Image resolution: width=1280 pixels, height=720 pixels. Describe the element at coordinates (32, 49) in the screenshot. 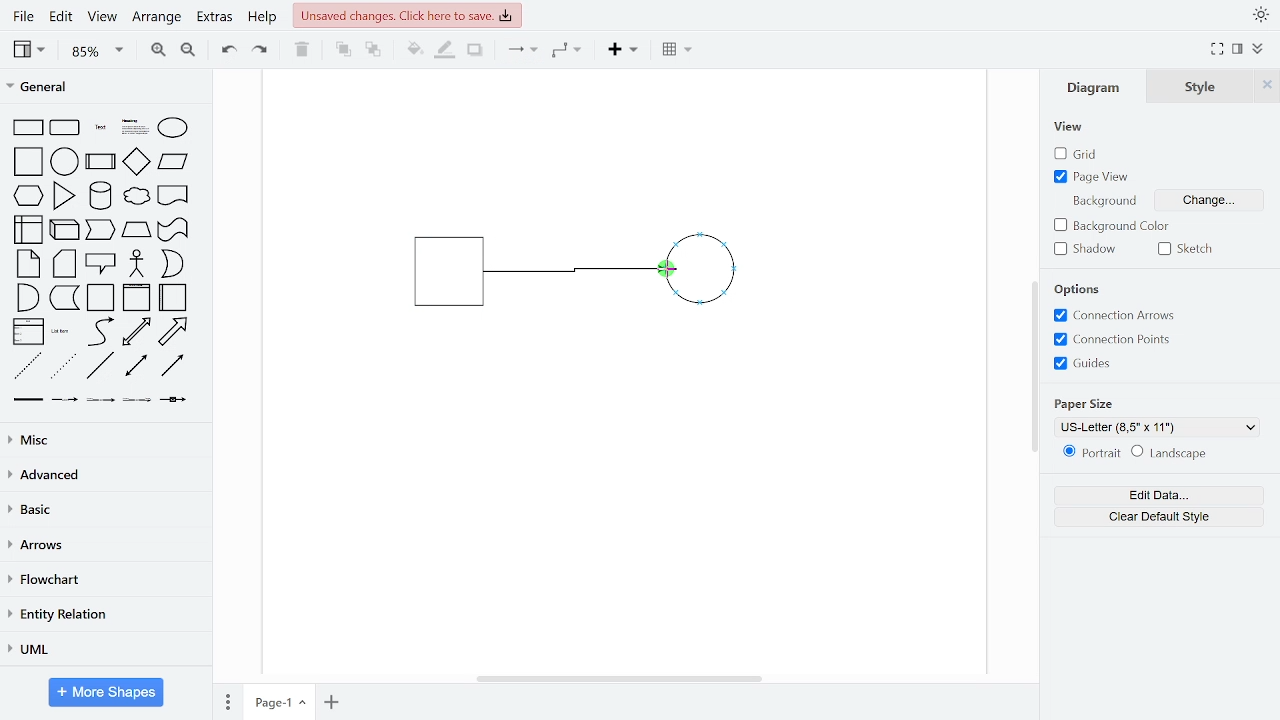

I see `view` at that location.